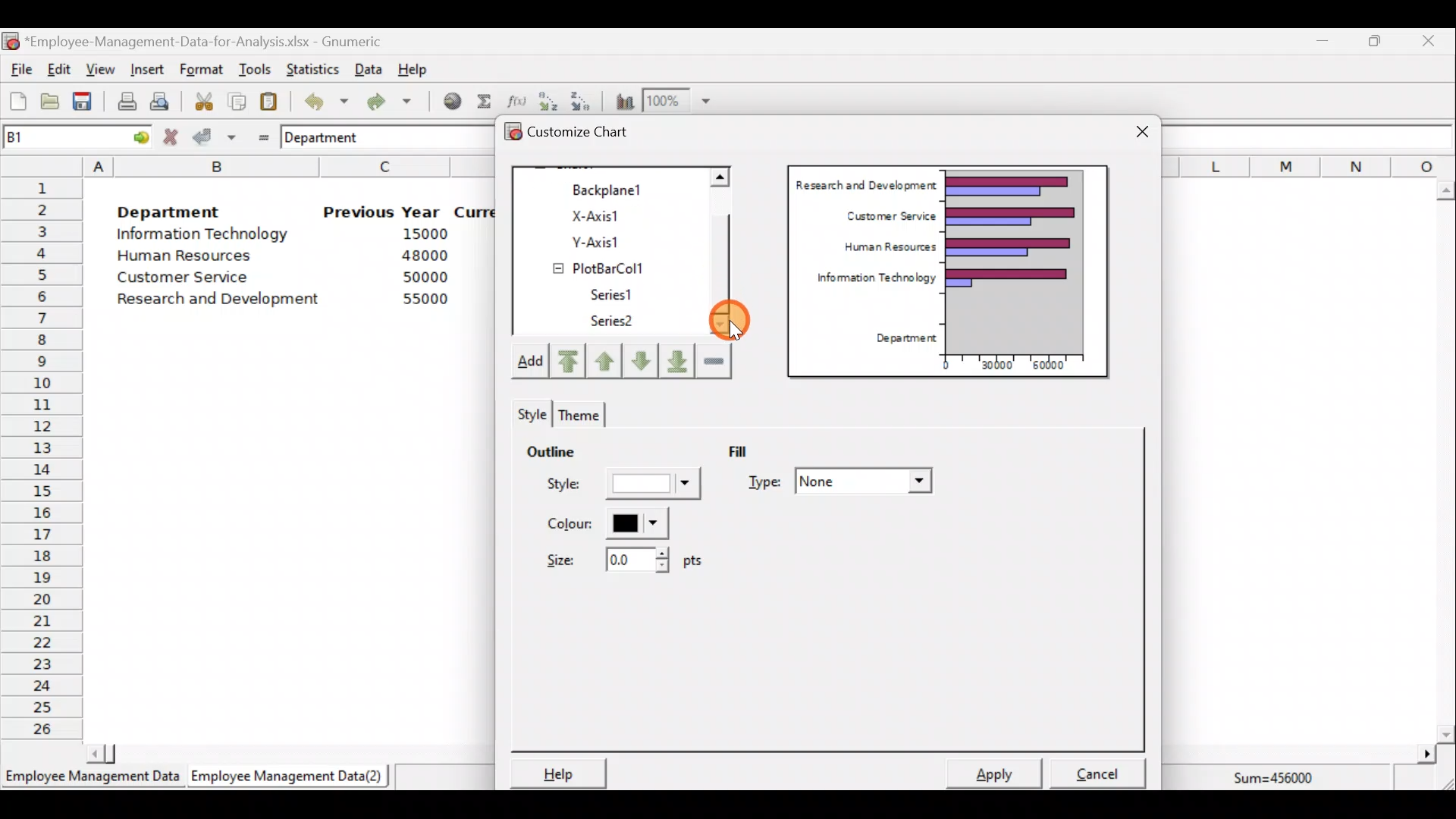 This screenshot has height=819, width=1456. What do you see at coordinates (1103, 769) in the screenshot?
I see `Cancel` at bounding box center [1103, 769].